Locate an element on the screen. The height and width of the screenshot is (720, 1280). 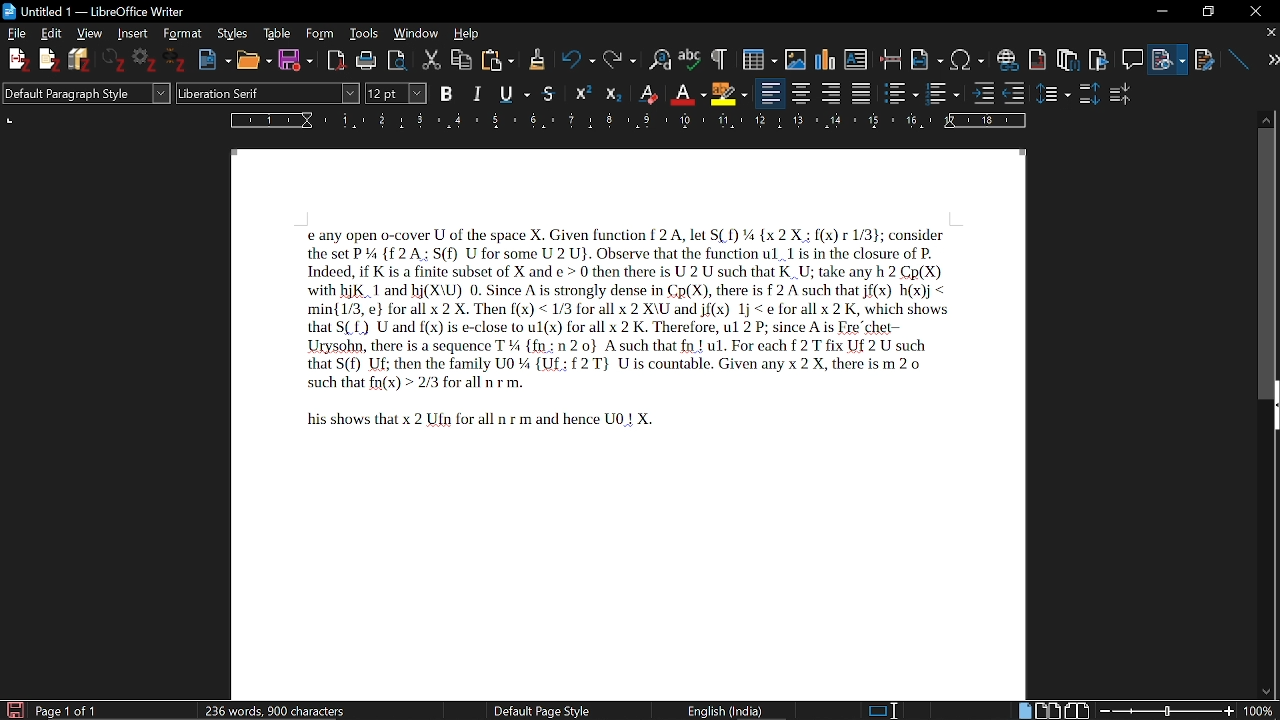
Paste is located at coordinates (499, 59).